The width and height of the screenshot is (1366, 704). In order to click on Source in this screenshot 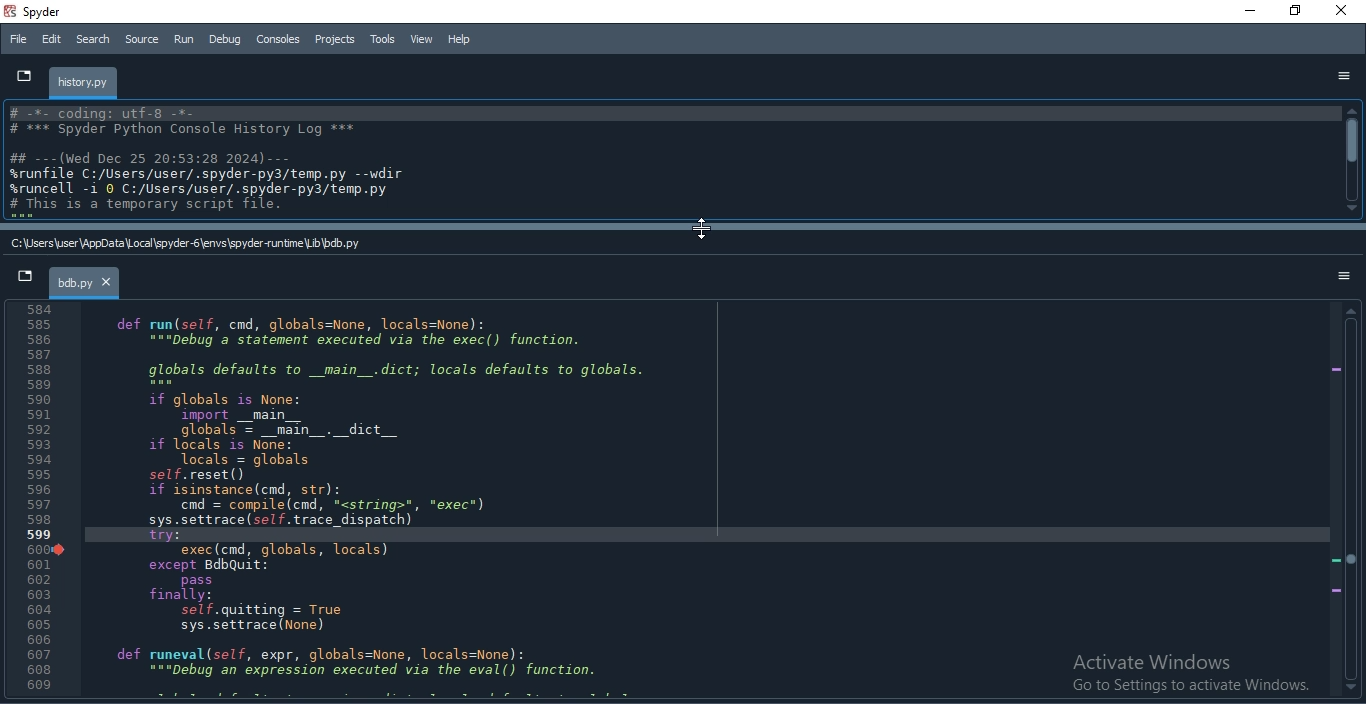, I will do `click(143, 39)`.